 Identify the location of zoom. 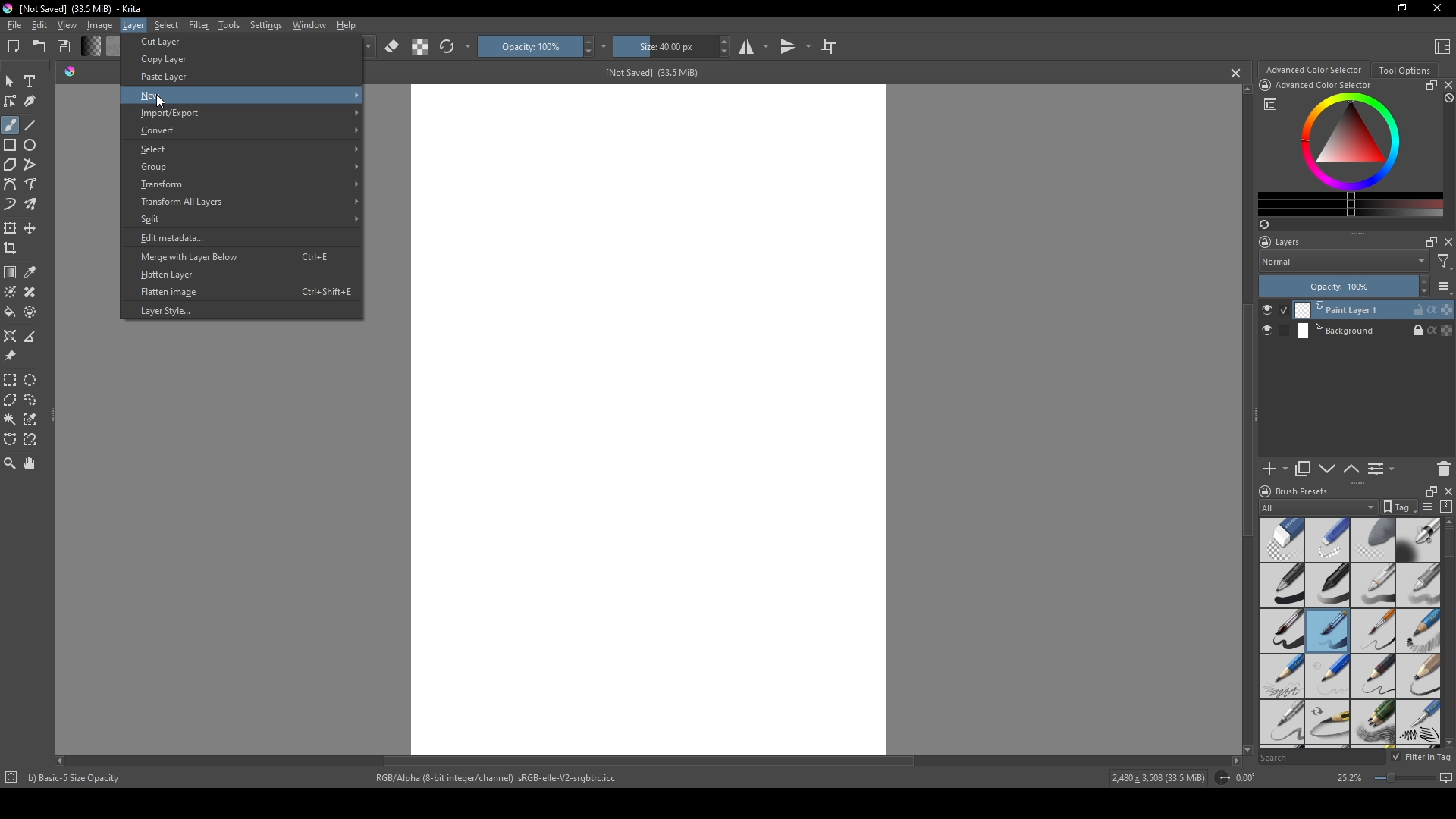
(10, 463).